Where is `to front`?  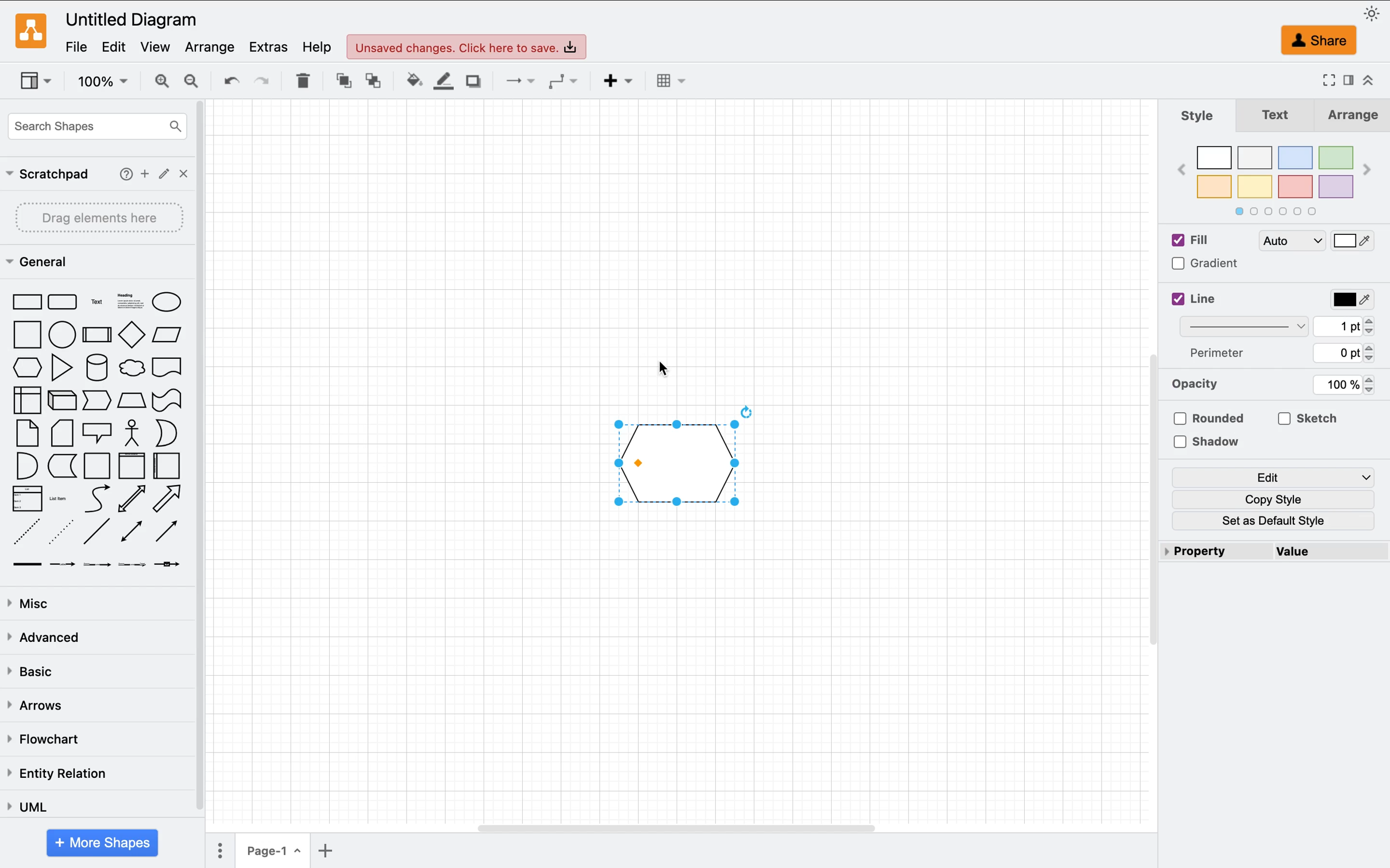
to front is located at coordinates (338, 82).